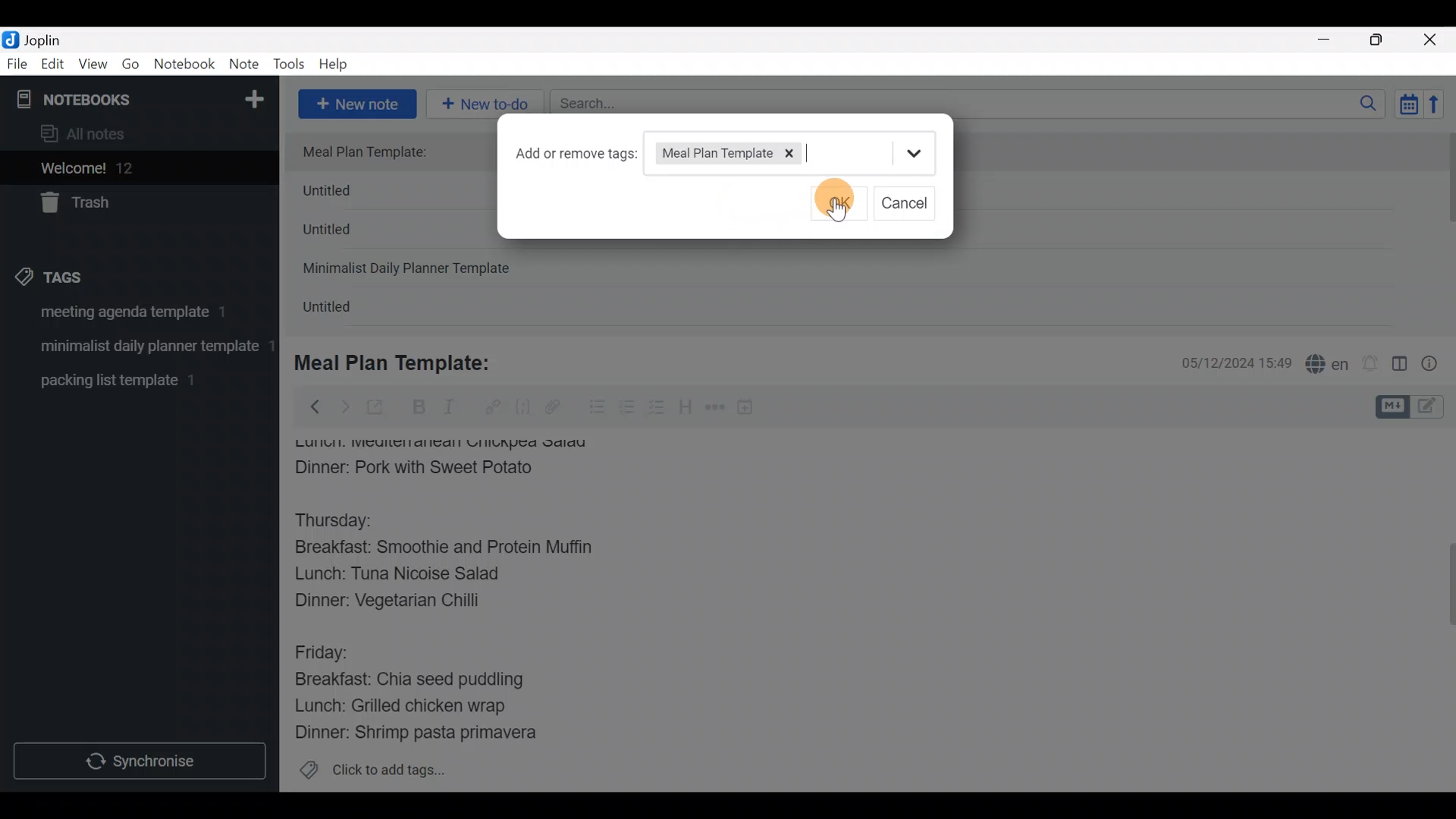 The width and height of the screenshot is (1456, 819). What do you see at coordinates (840, 194) in the screenshot?
I see `OK` at bounding box center [840, 194].